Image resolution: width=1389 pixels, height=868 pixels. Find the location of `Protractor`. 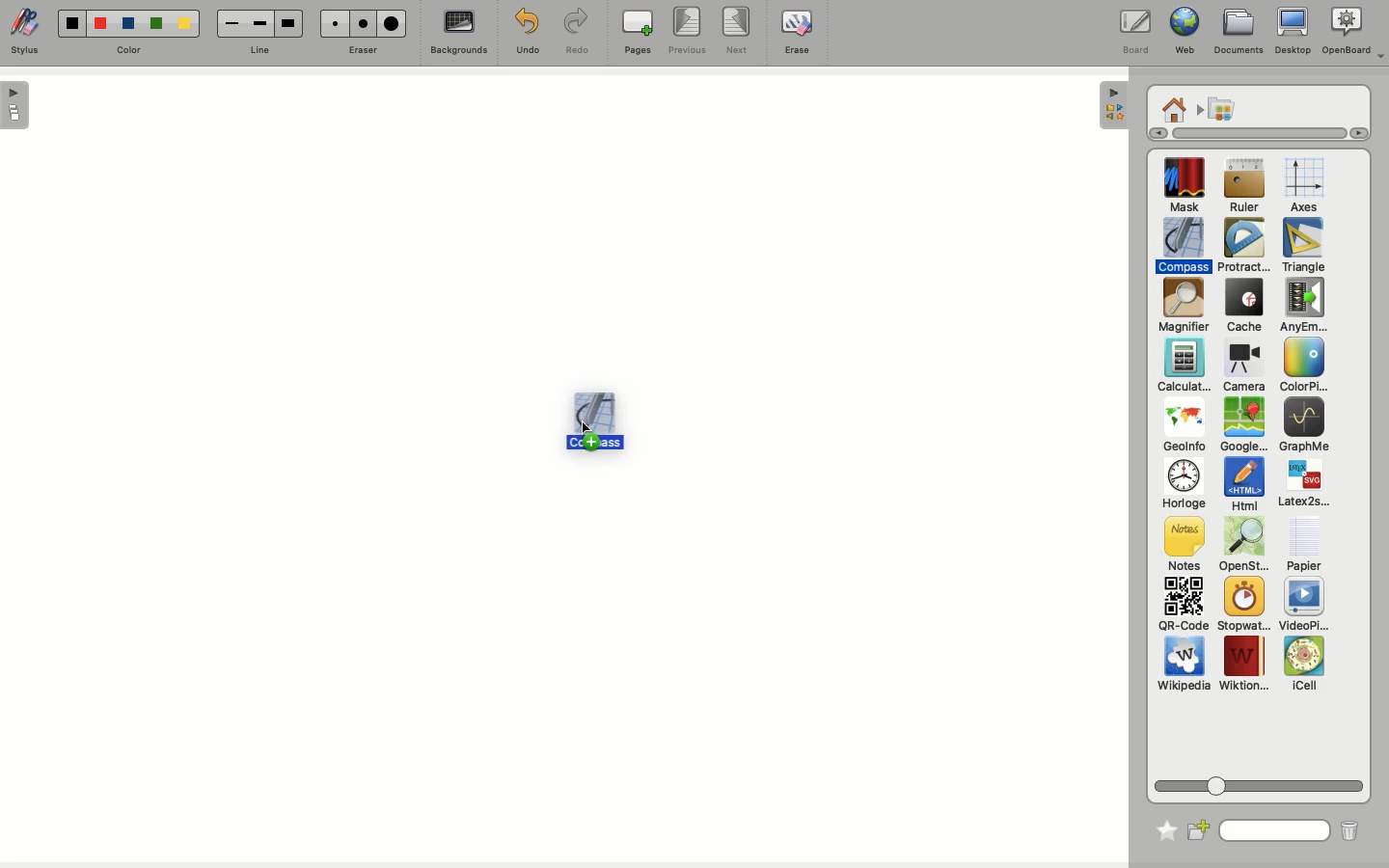

Protractor is located at coordinates (1246, 246).